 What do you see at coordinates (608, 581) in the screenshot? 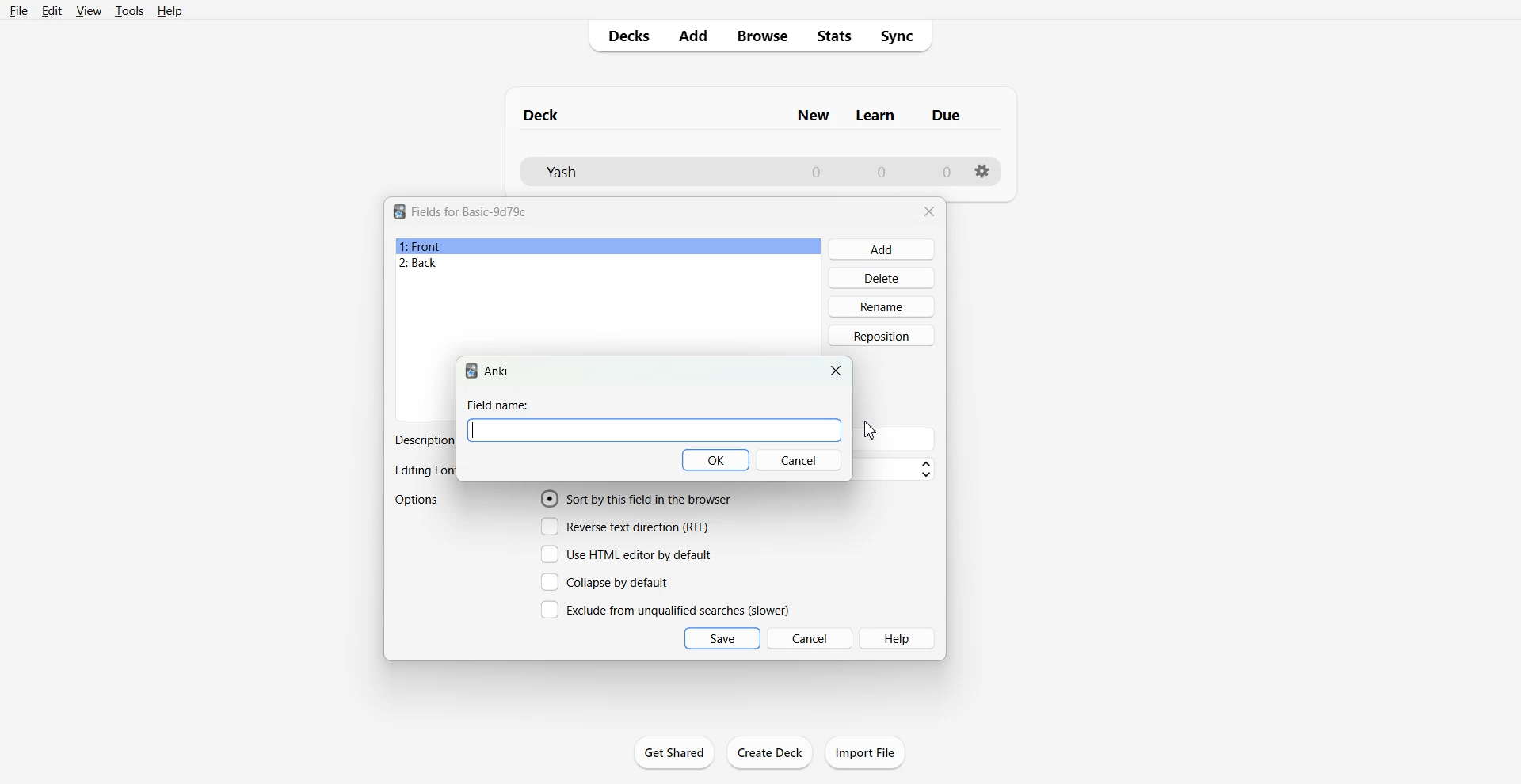
I see `Collapse by default` at bounding box center [608, 581].